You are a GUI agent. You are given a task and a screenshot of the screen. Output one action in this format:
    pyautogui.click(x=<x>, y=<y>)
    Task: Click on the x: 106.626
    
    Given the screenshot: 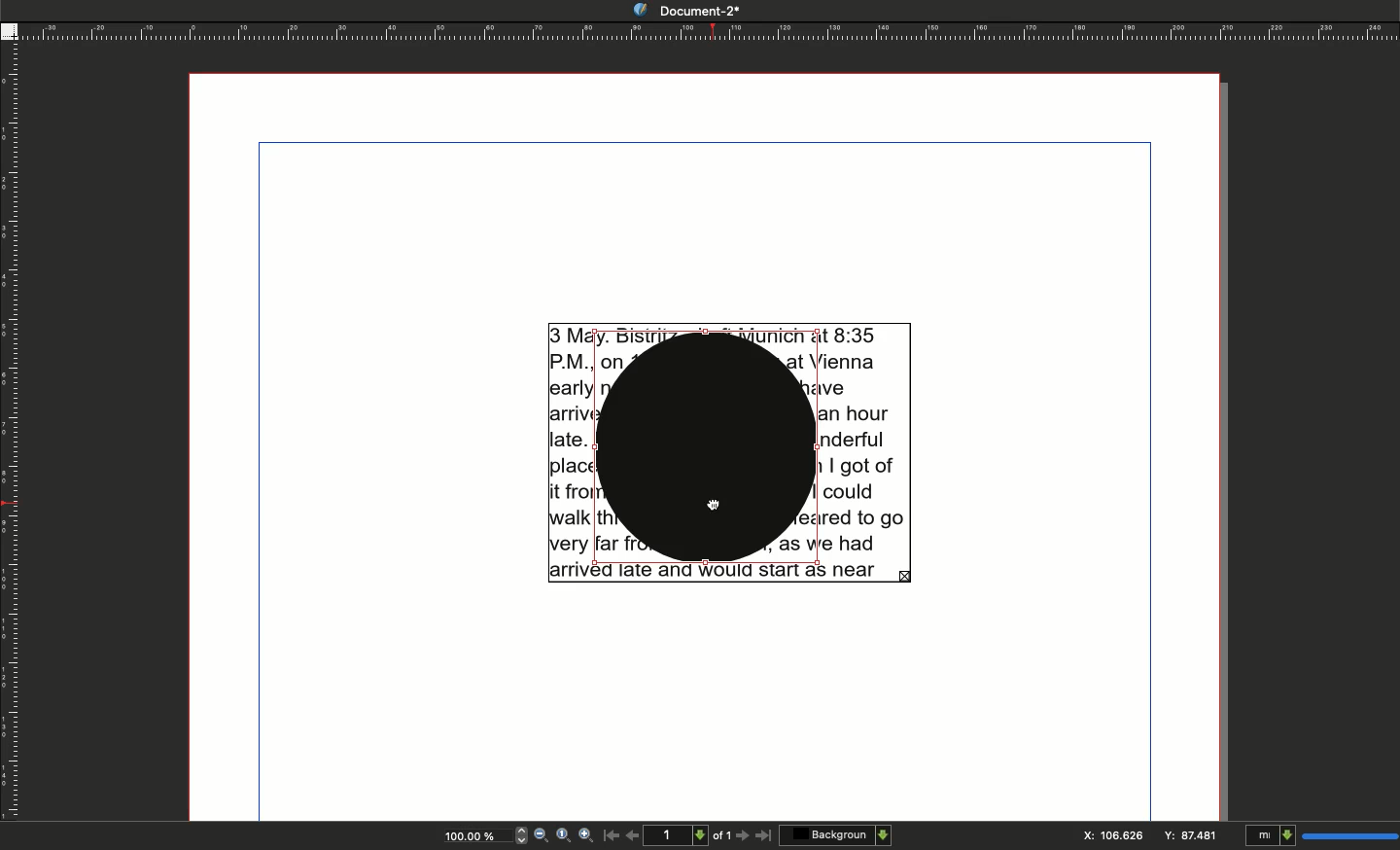 What is the action you would take?
    pyautogui.click(x=1106, y=834)
    